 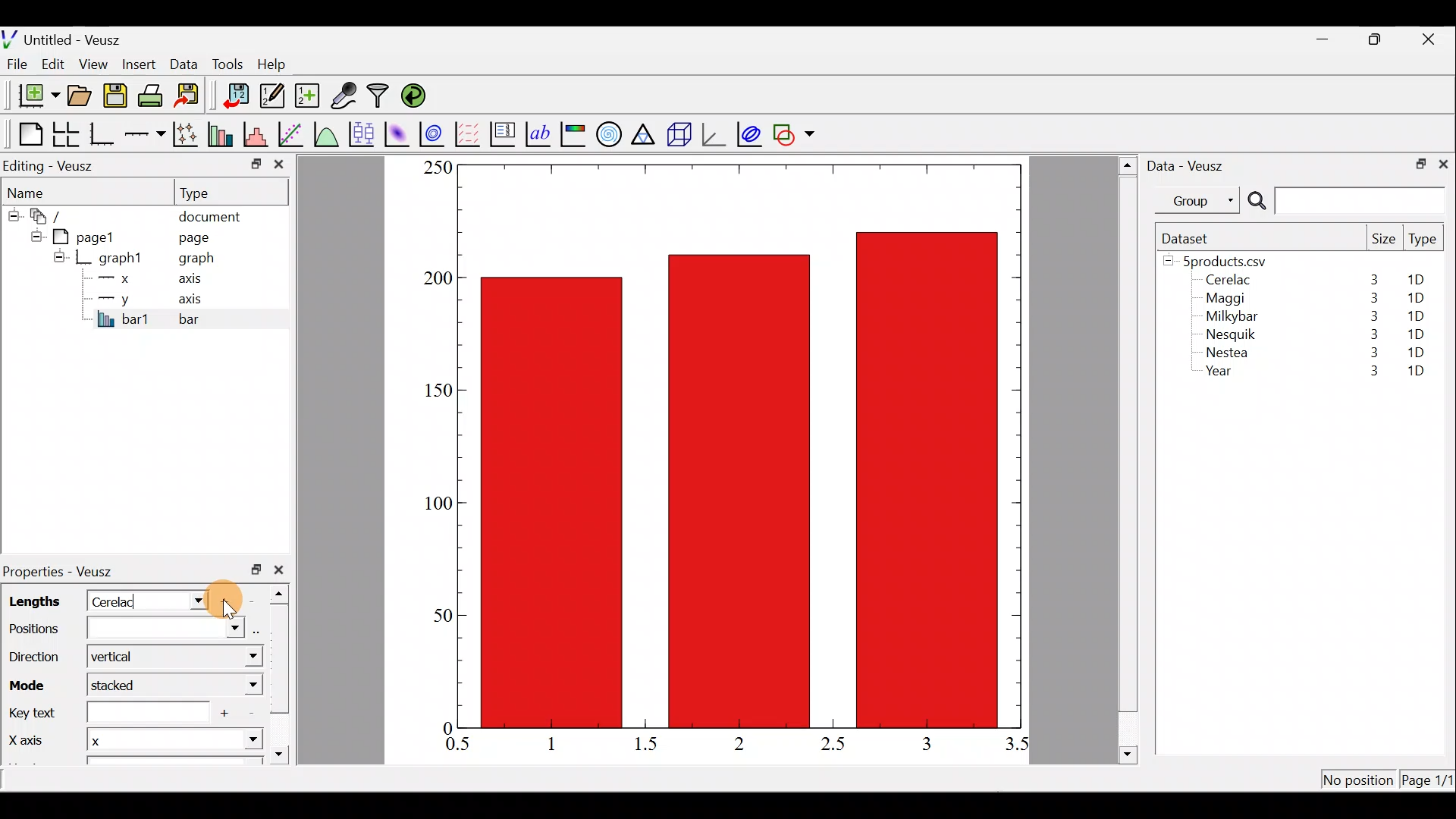 I want to click on Polar graph, so click(x=606, y=132).